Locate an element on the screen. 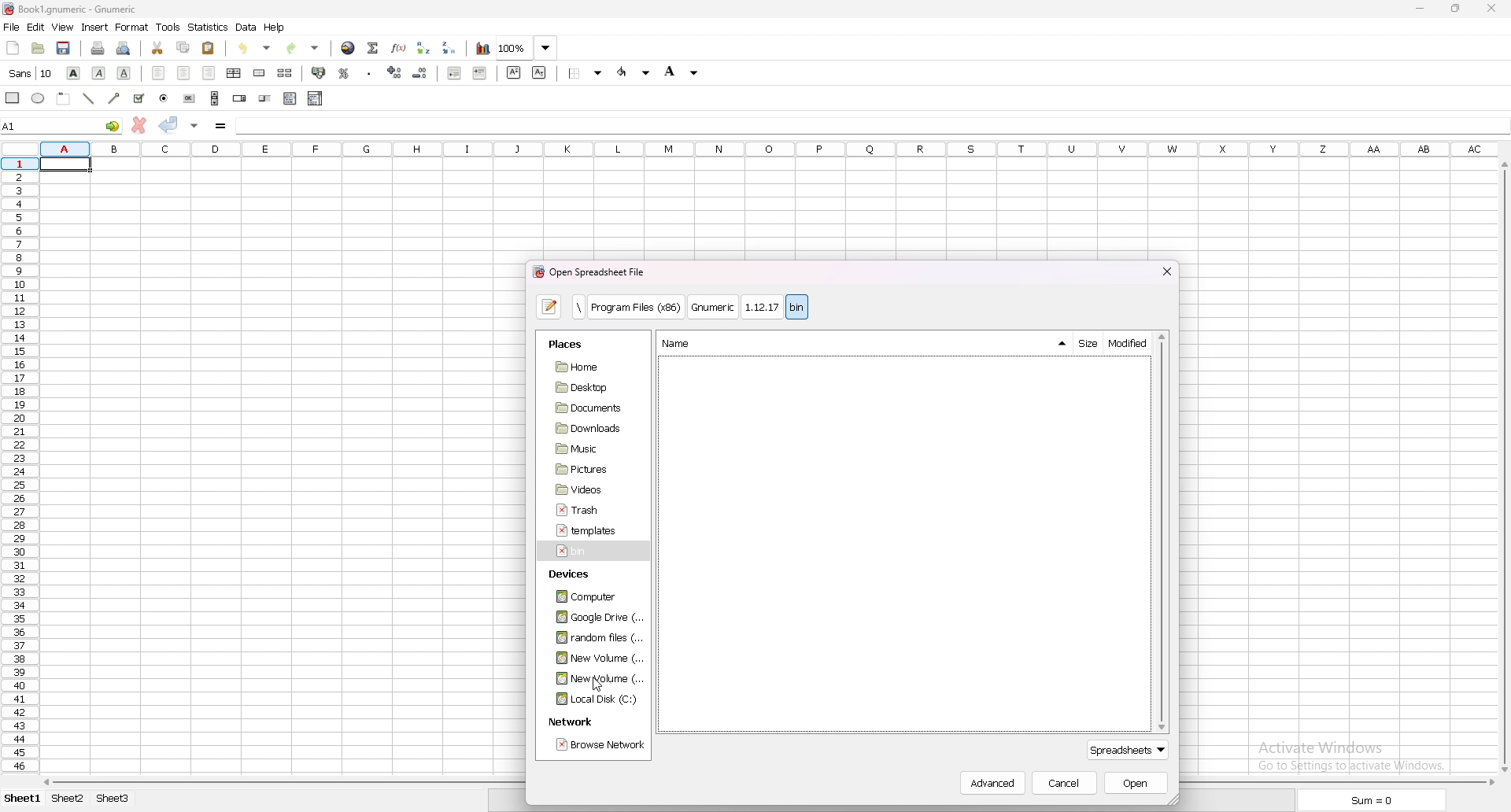  arrowed line is located at coordinates (113, 98).